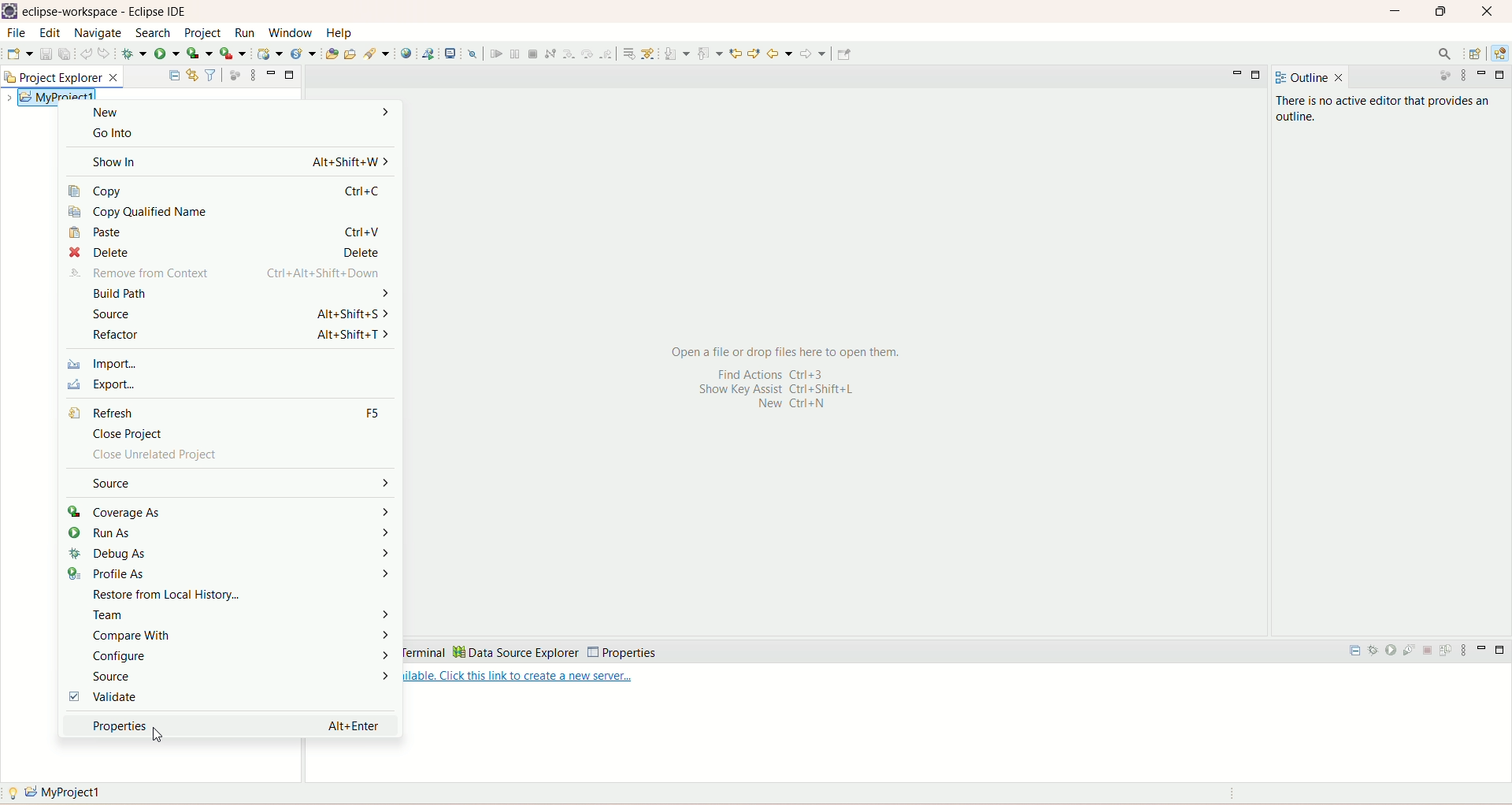 Image resolution: width=1512 pixels, height=805 pixels. I want to click on run as, so click(229, 532).